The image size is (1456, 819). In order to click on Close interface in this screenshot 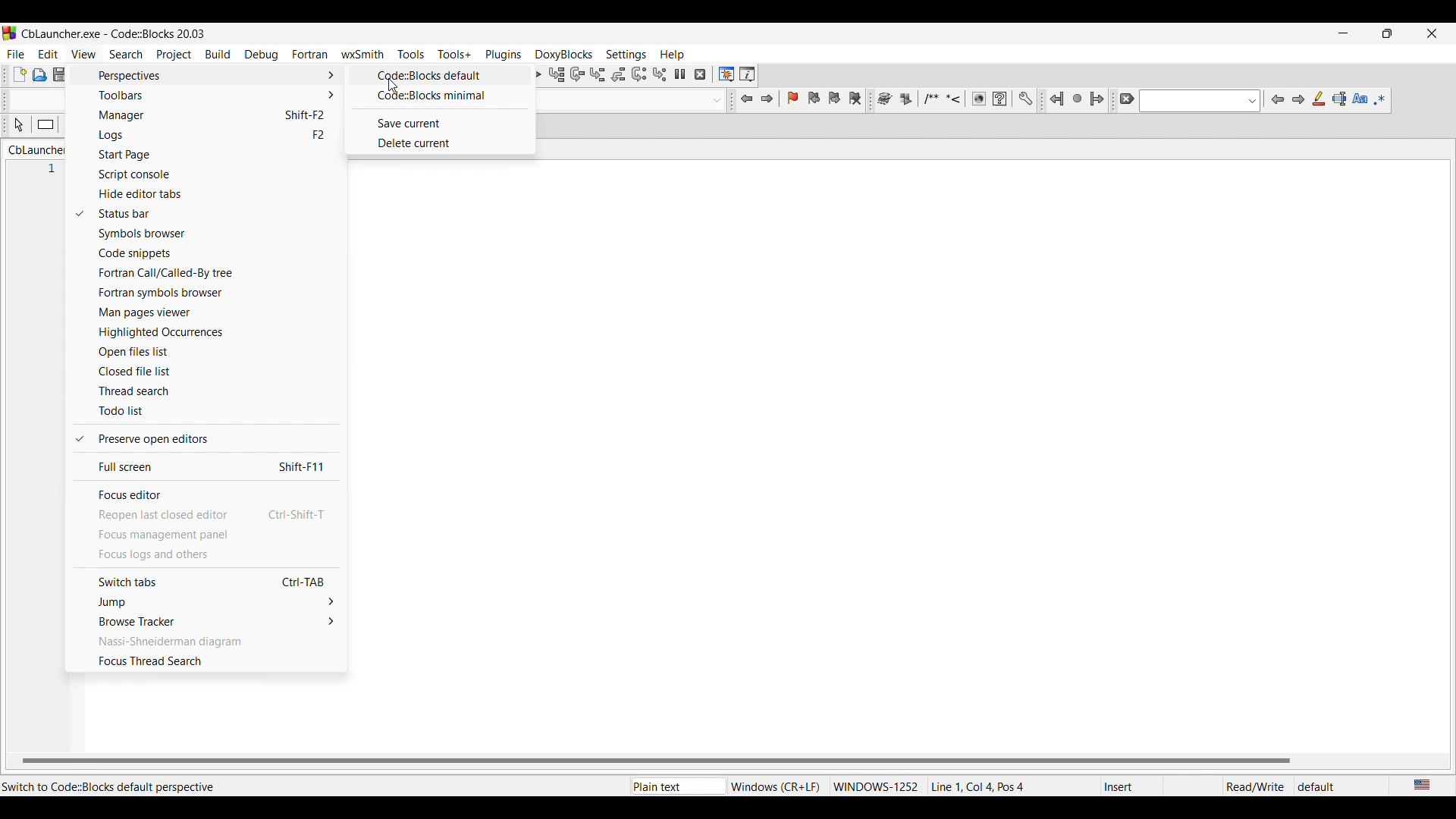, I will do `click(1432, 33)`.